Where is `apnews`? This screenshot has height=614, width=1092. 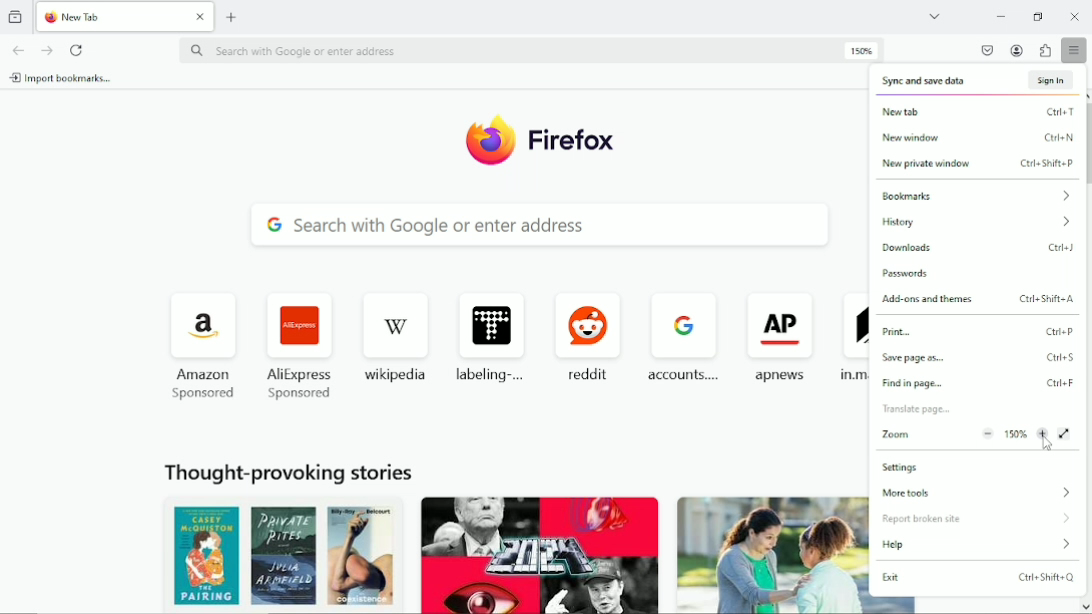
apnews is located at coordinates (781, 334).